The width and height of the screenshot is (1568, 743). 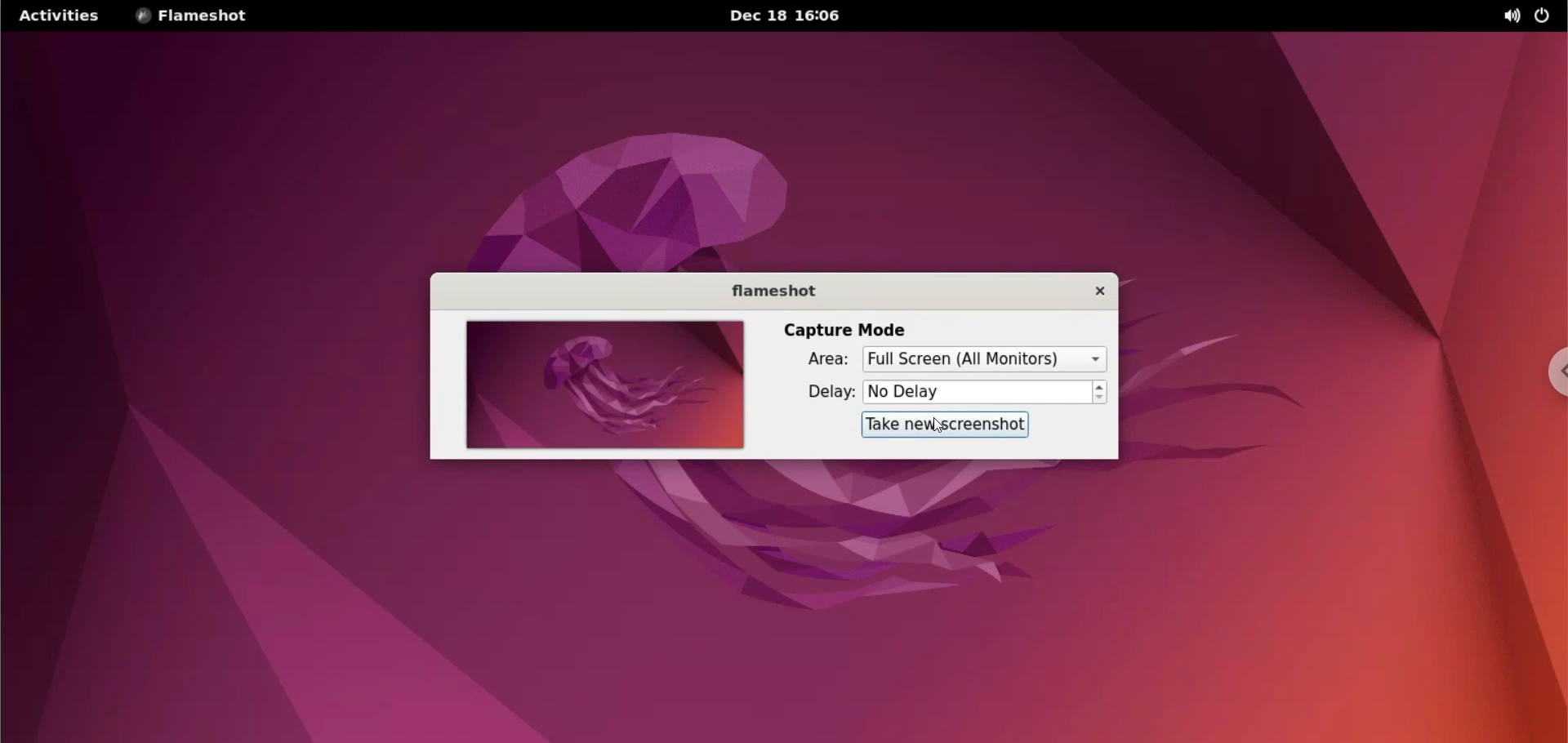 What do you see at coordinates (982, 359) in the screenshot?
I see `capture area options` at bounding box center [982, 359].